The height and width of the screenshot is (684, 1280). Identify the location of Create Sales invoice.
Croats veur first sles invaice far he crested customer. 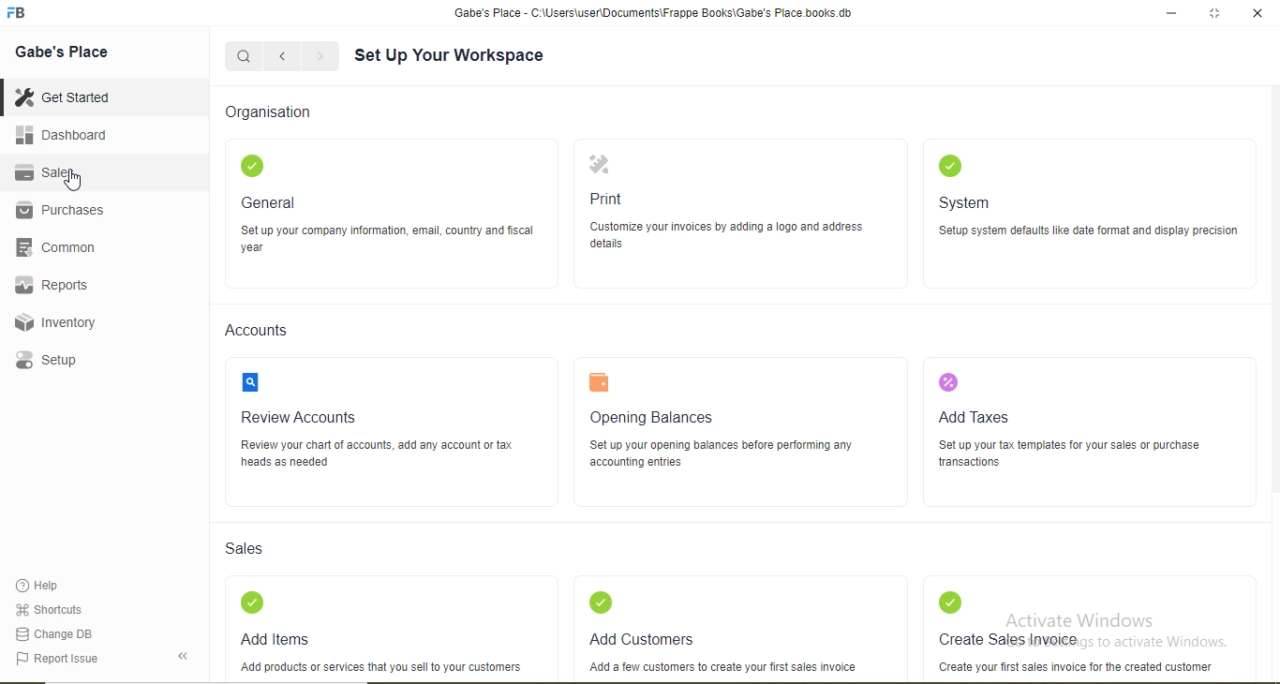
(1077, 652).